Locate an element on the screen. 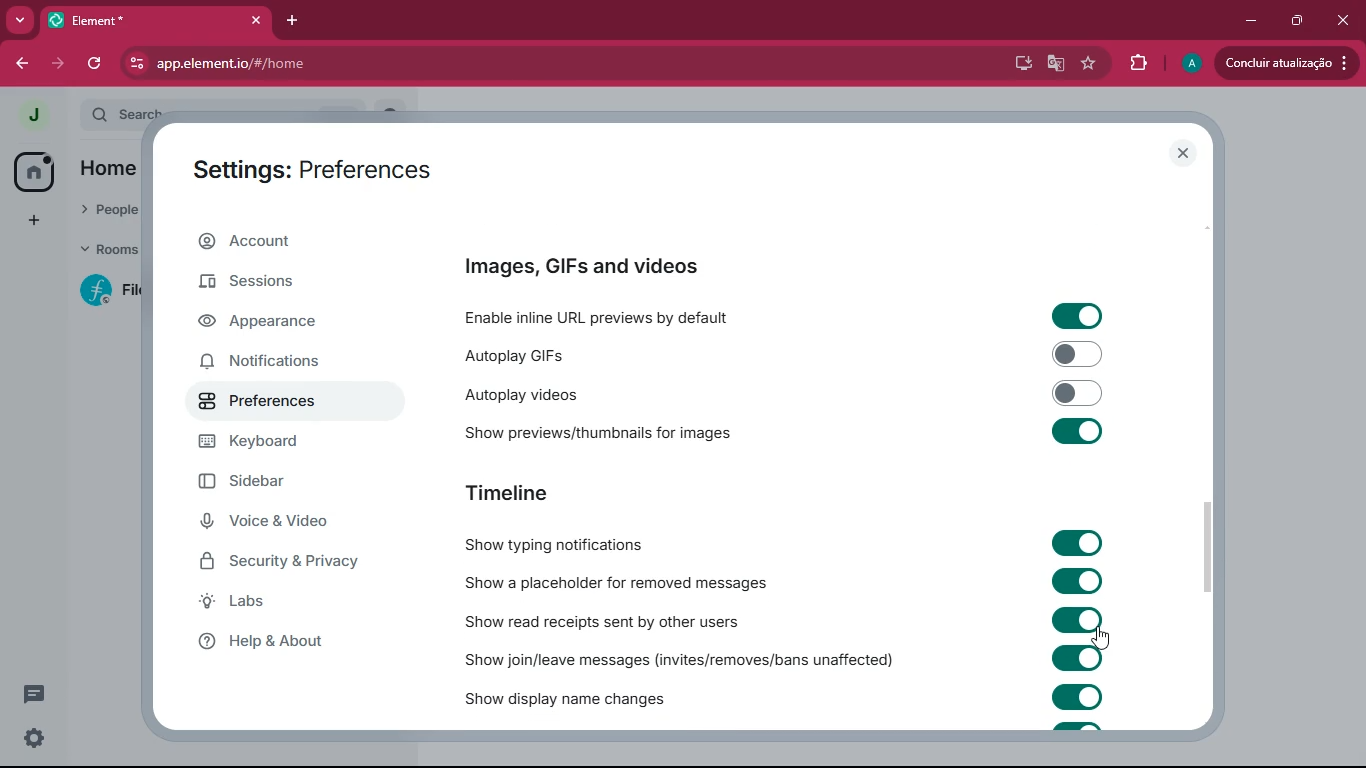 This screenshot has height=768, width=1366. show a placeholder for removed messages is located at coordinates (622, 580).